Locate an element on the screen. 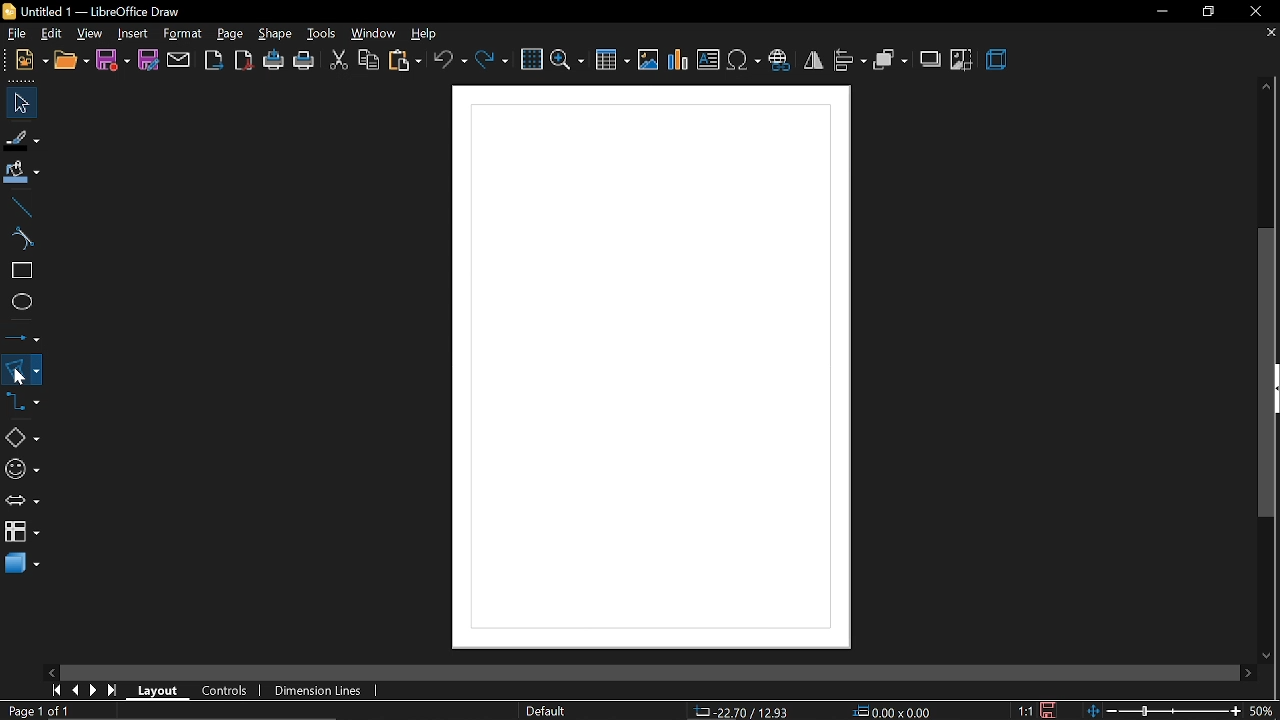 This screenshot has height=720, width=1280. lines and arrows is located at coordinates (23, 334).